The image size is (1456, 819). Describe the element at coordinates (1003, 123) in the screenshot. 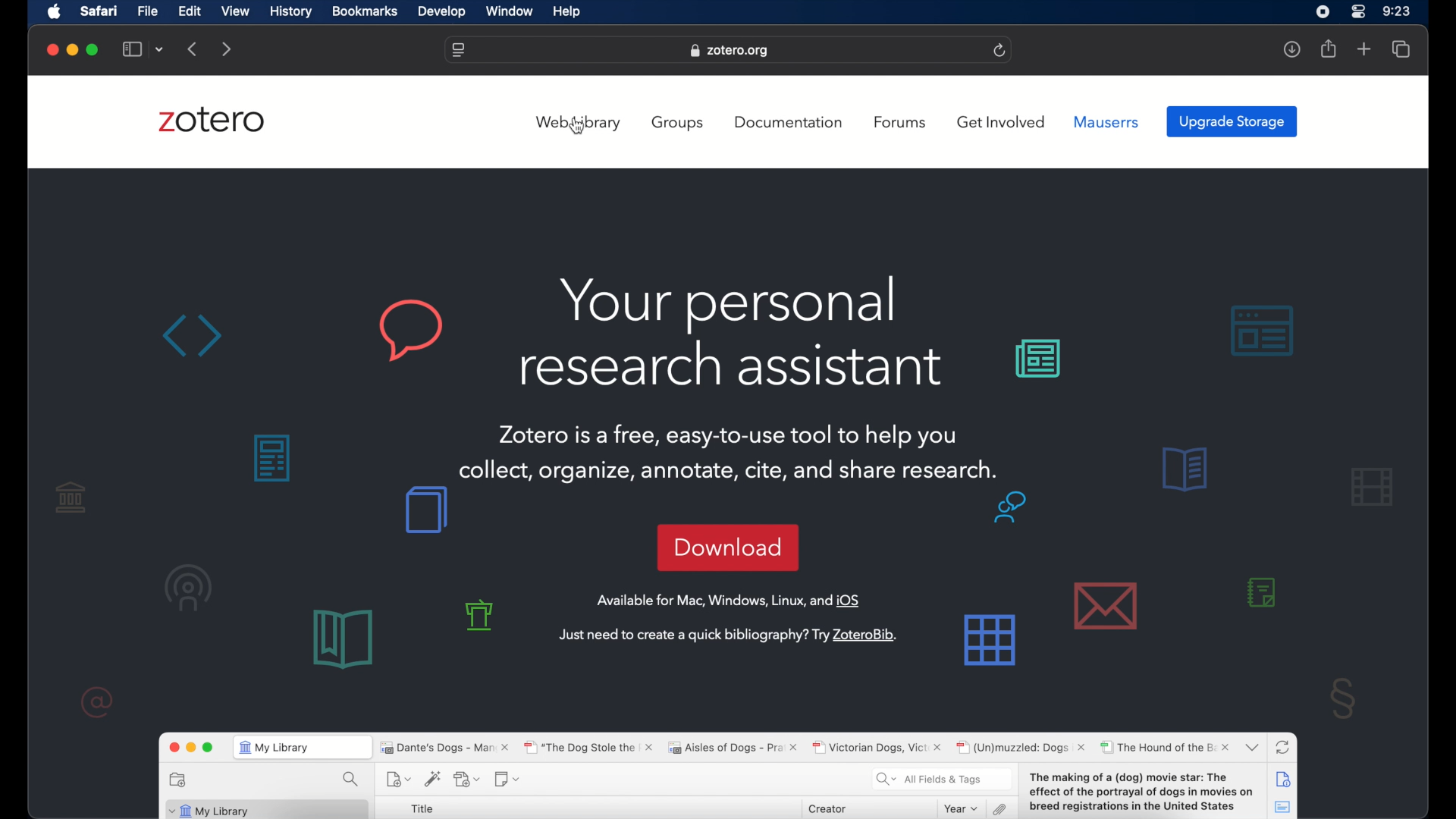

I see `get involved` at that location.